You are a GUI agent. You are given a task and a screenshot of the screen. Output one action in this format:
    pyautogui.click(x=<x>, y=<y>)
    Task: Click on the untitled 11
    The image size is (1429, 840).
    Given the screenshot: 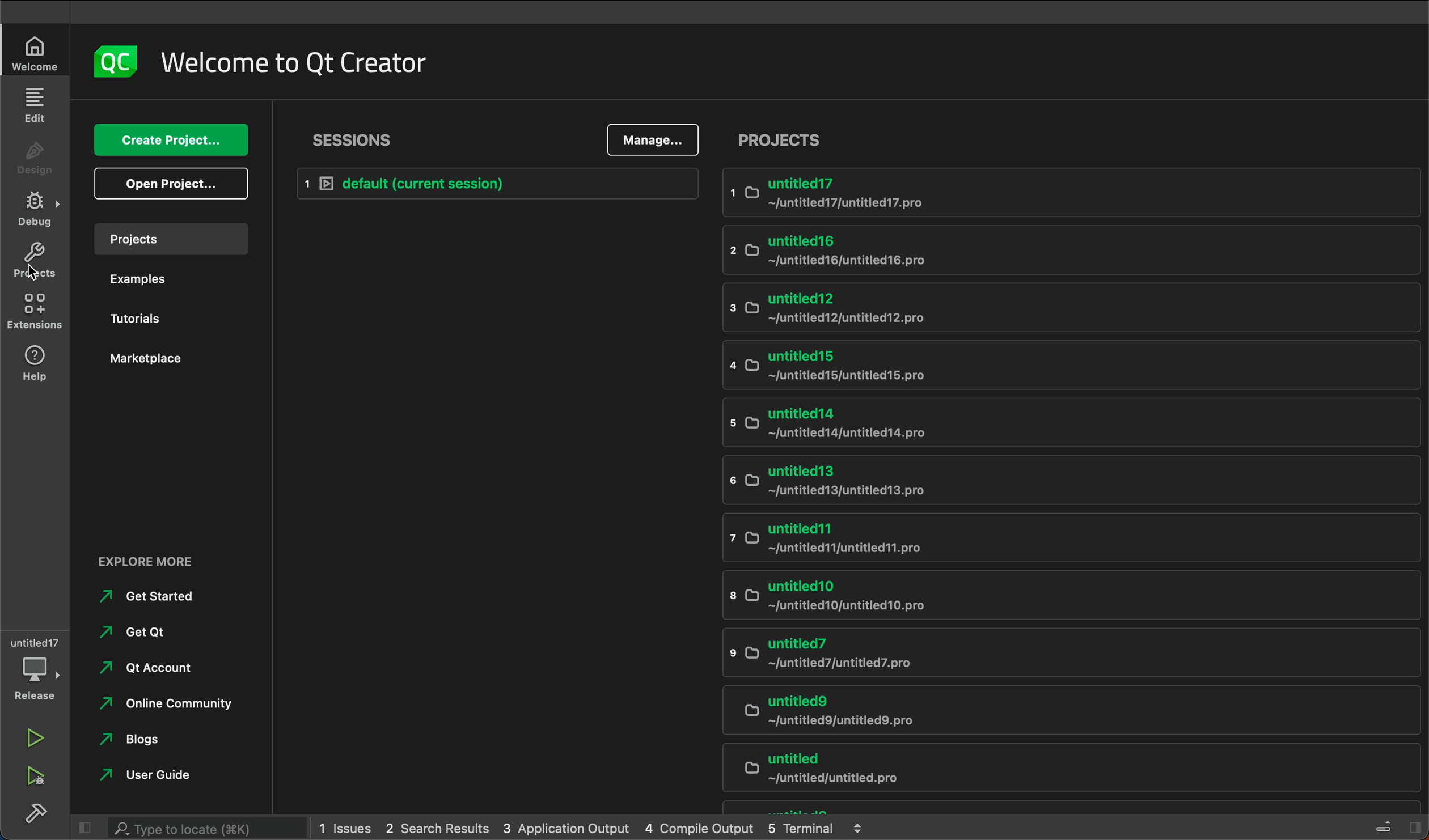 What is the action you would take?
    pyautogui.click(x=1020, y=537)
    